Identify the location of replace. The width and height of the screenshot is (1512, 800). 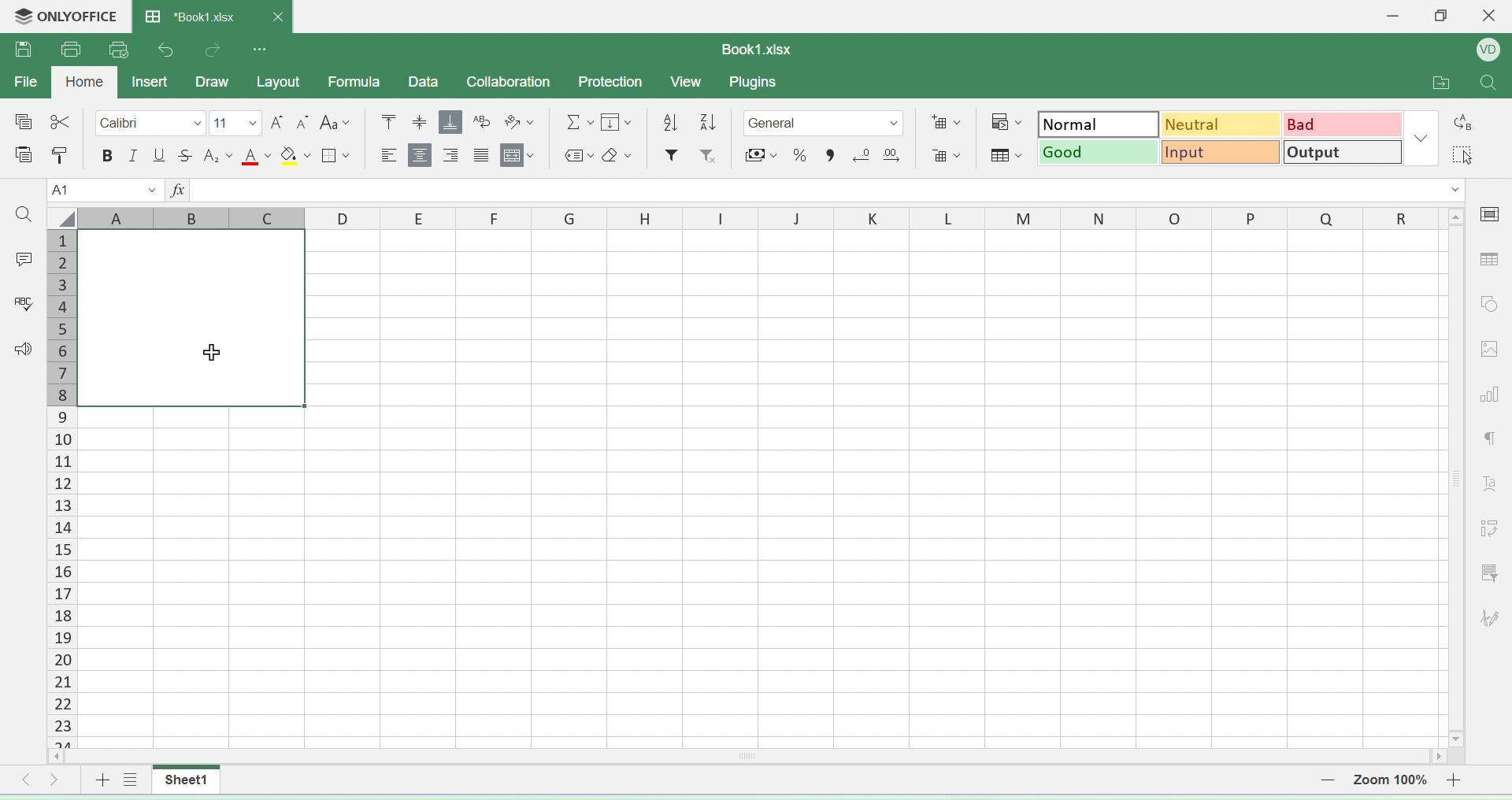
(1466, 124).